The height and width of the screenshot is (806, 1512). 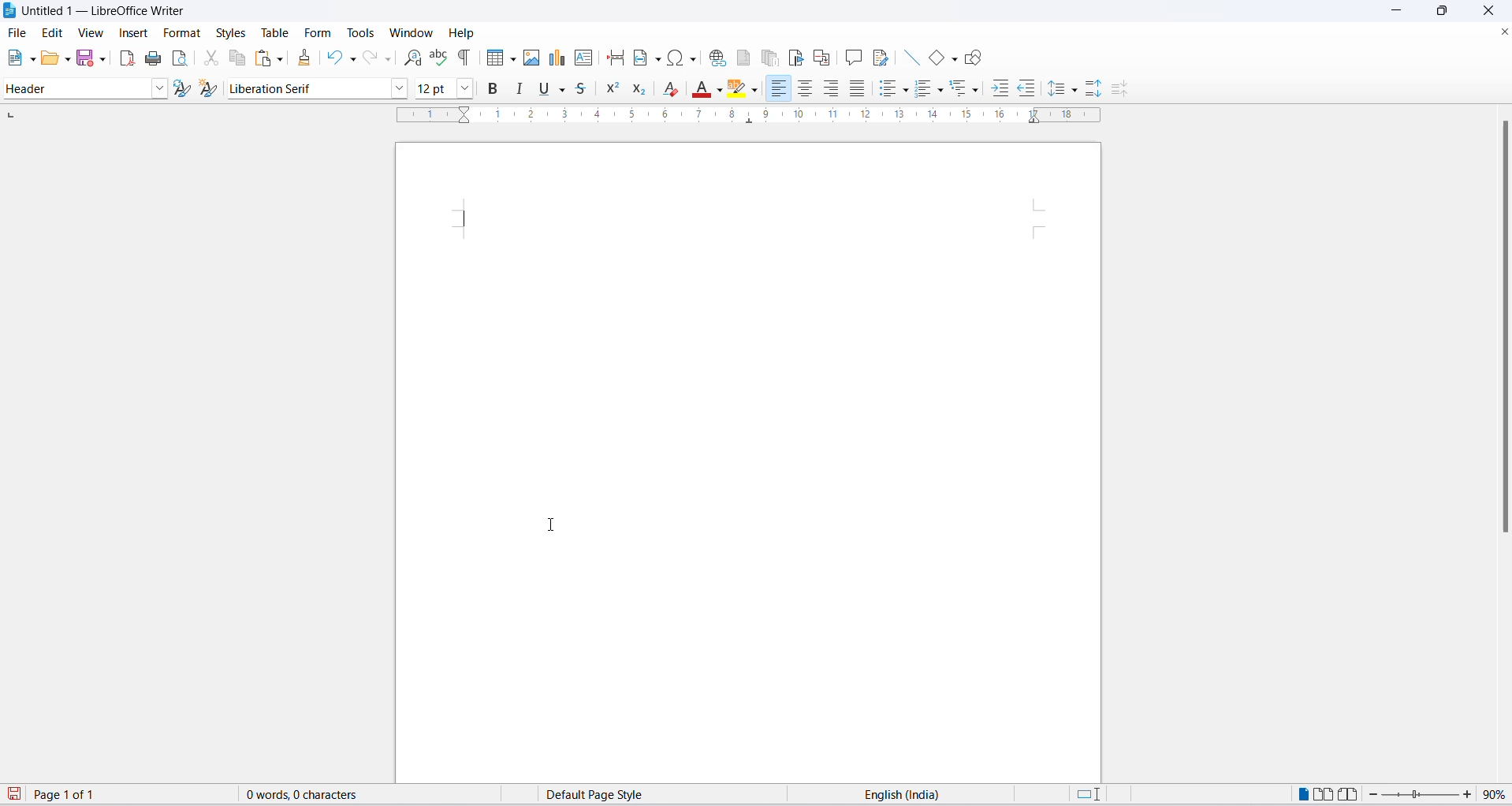 What do you see at coordinates (1400, 12) in the screenshot?
I see `minimize` at bounding box center [1400, 12].